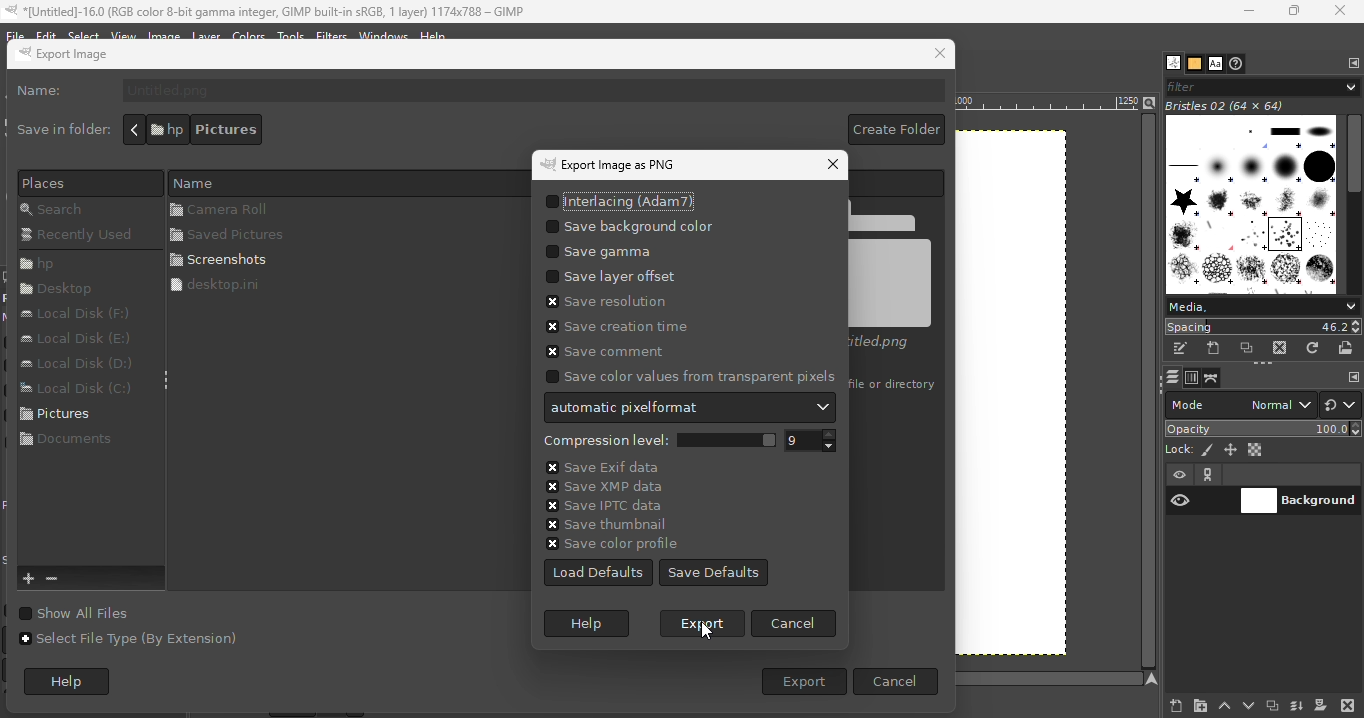 The height and width of the screenshot is (718, 1364). I want to click on Configure this tab, so click(1354, 63).